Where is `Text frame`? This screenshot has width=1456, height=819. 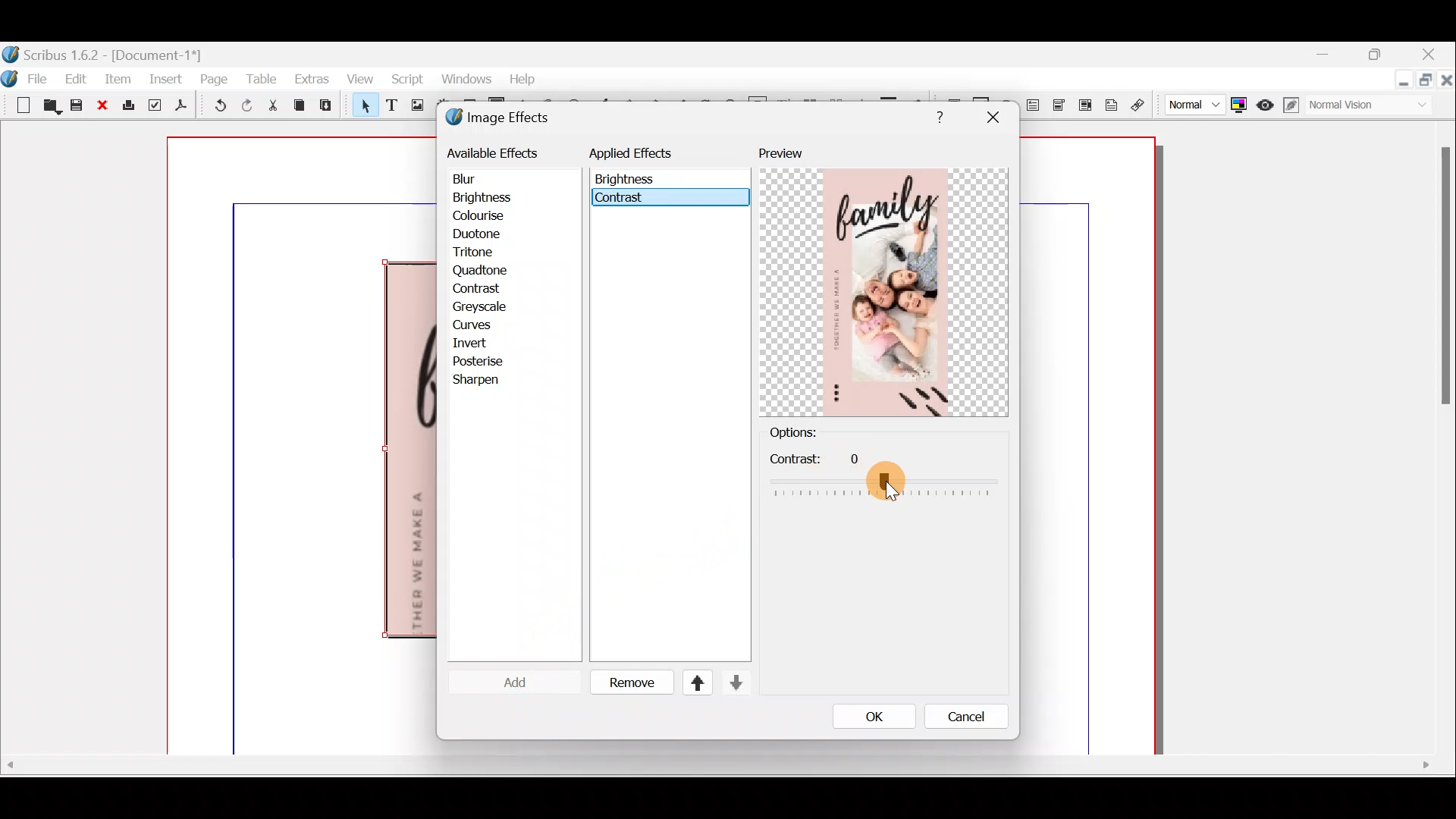
Text frame is located at coordinates (391, 106).